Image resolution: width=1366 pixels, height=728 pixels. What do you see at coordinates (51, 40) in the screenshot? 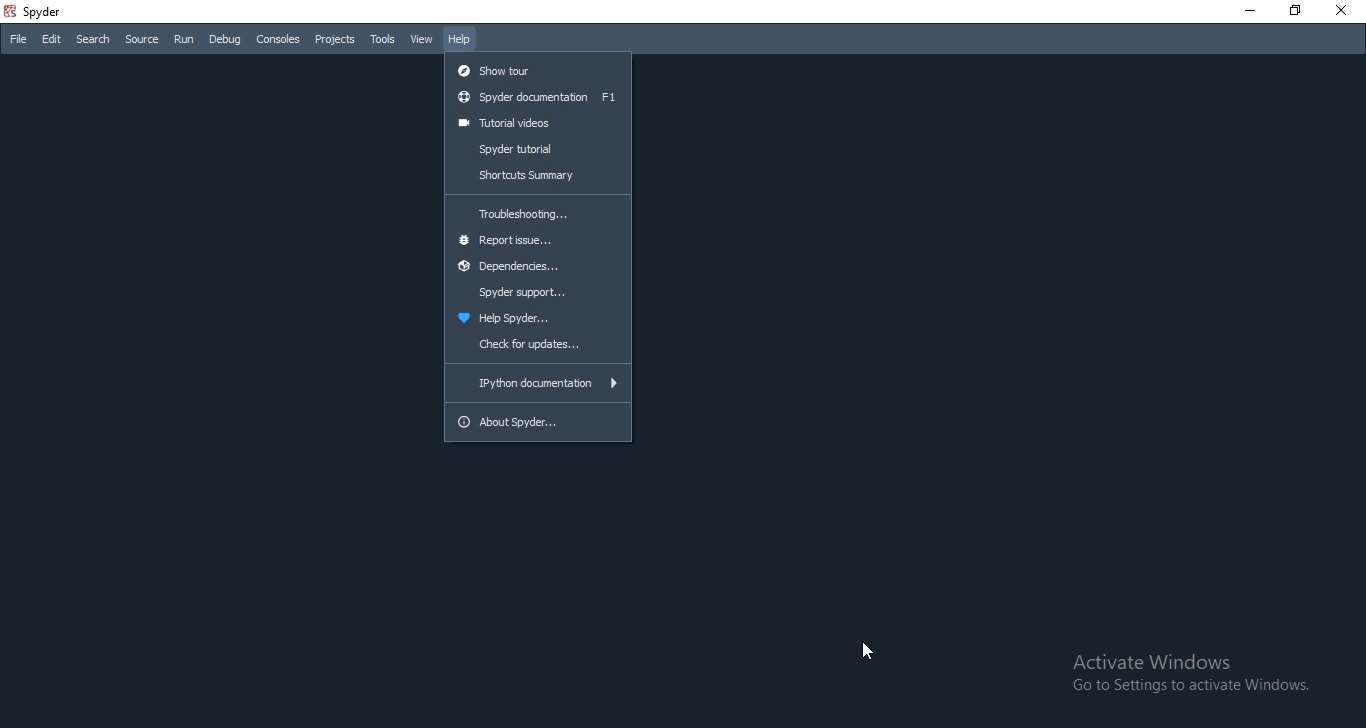
I see `Edit` at bounding box center [51, 40].